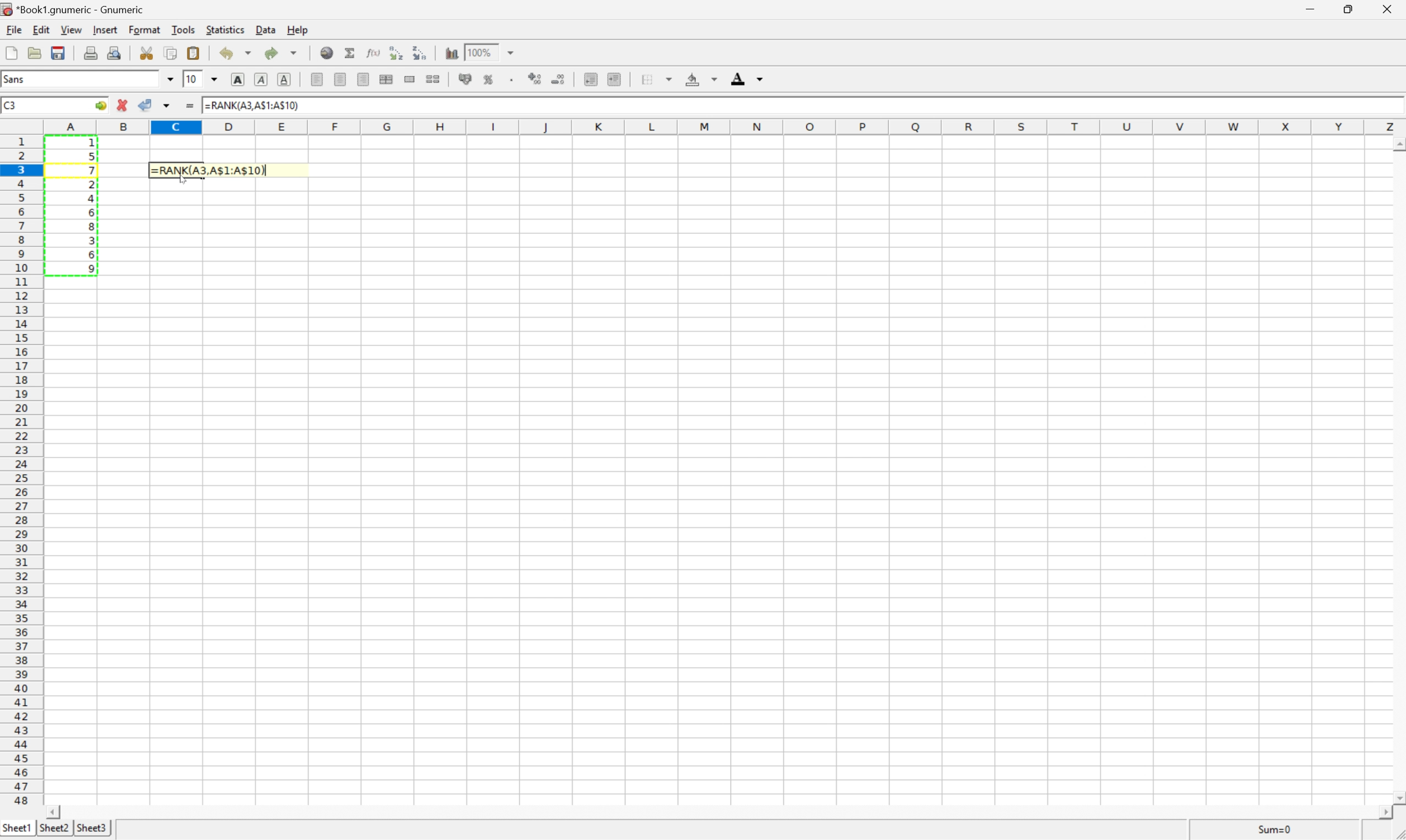 The height and width of the screenshot is (840, 1406). I want to click on accept changes, so click(145, 105).